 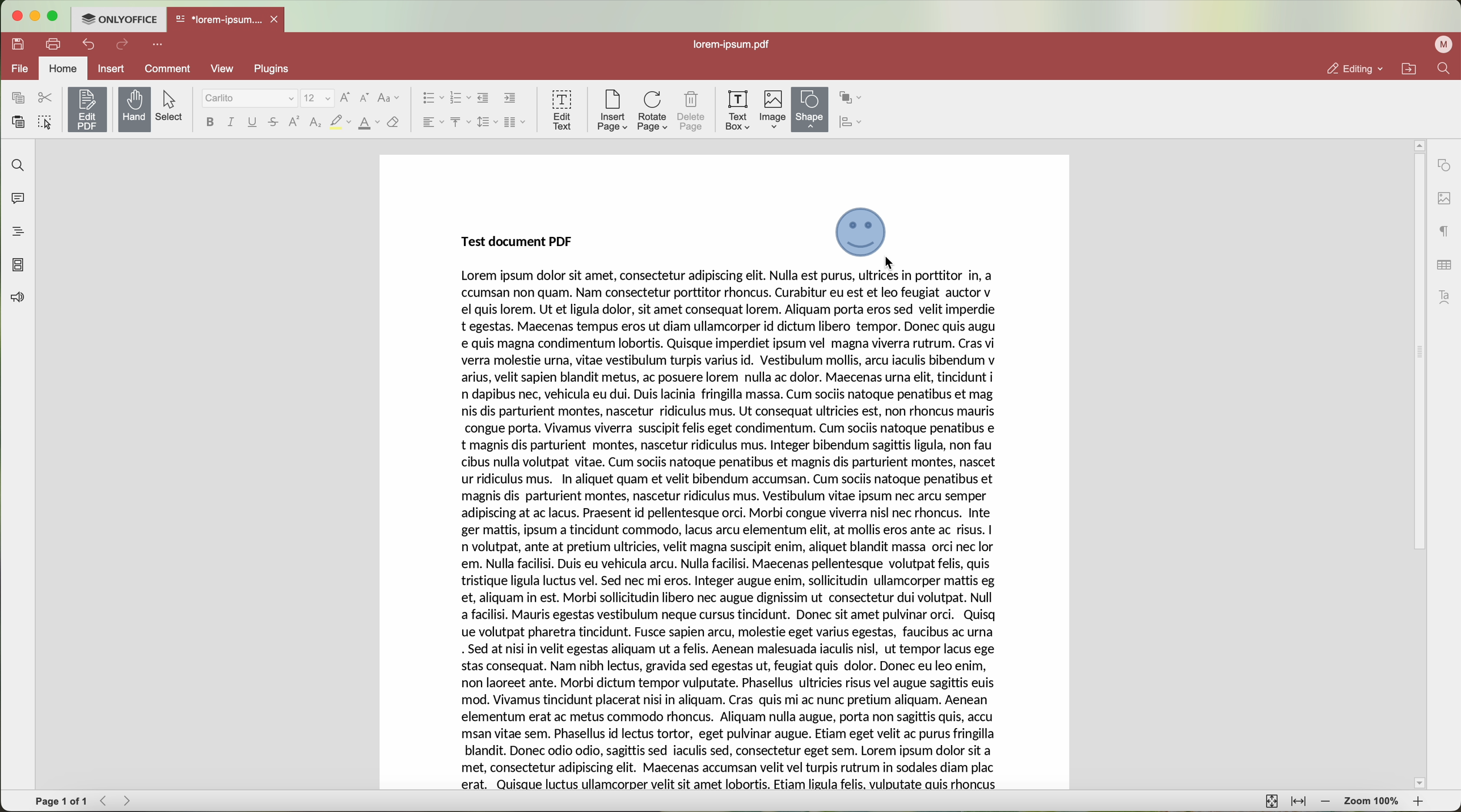 What do you see at coordinates (1328, 803) in the screenshot?
I see `zoom out` at bounding box center [1328, 803].